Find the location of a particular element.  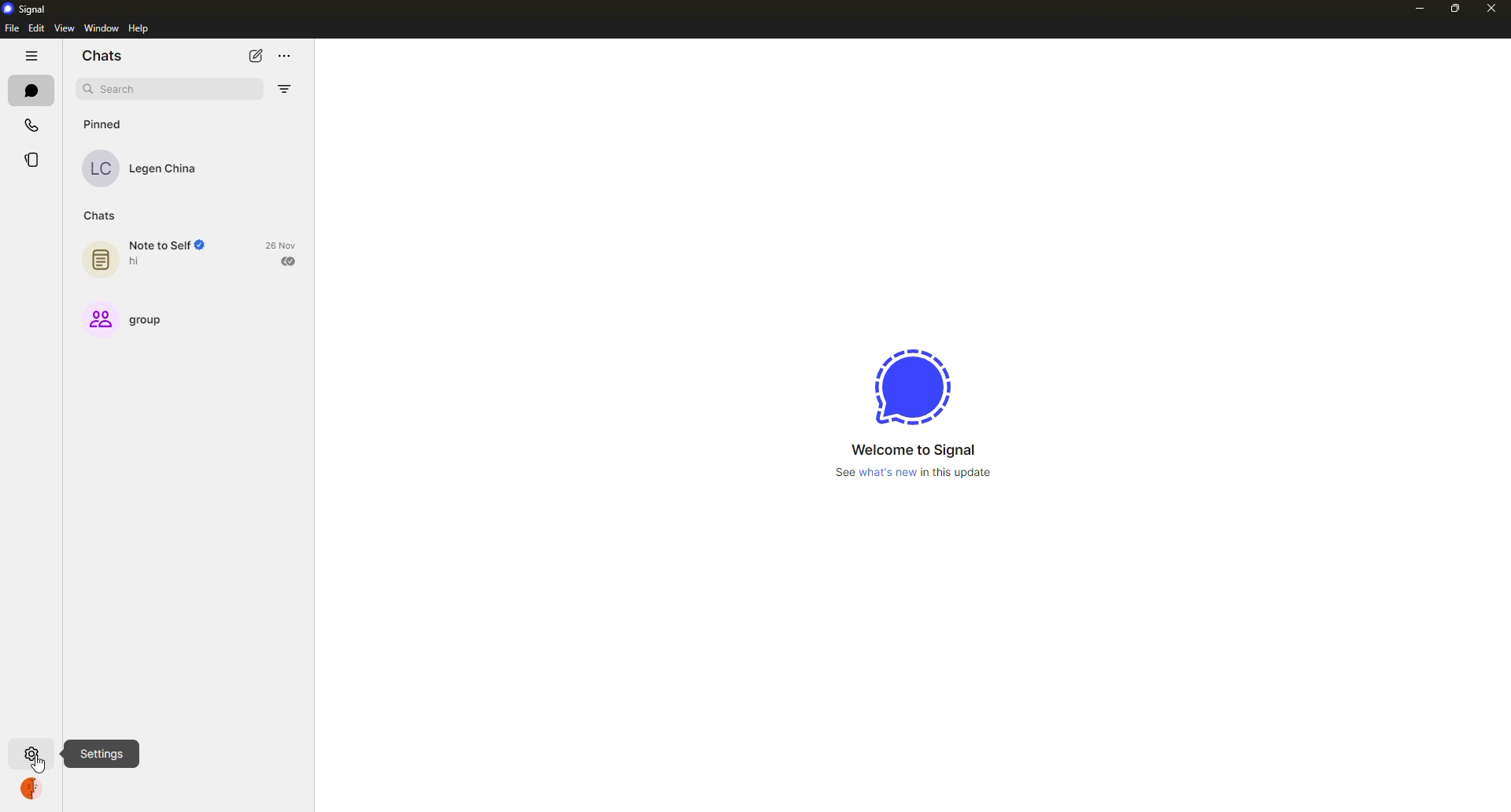

calls is located at coordinates (33, 124).